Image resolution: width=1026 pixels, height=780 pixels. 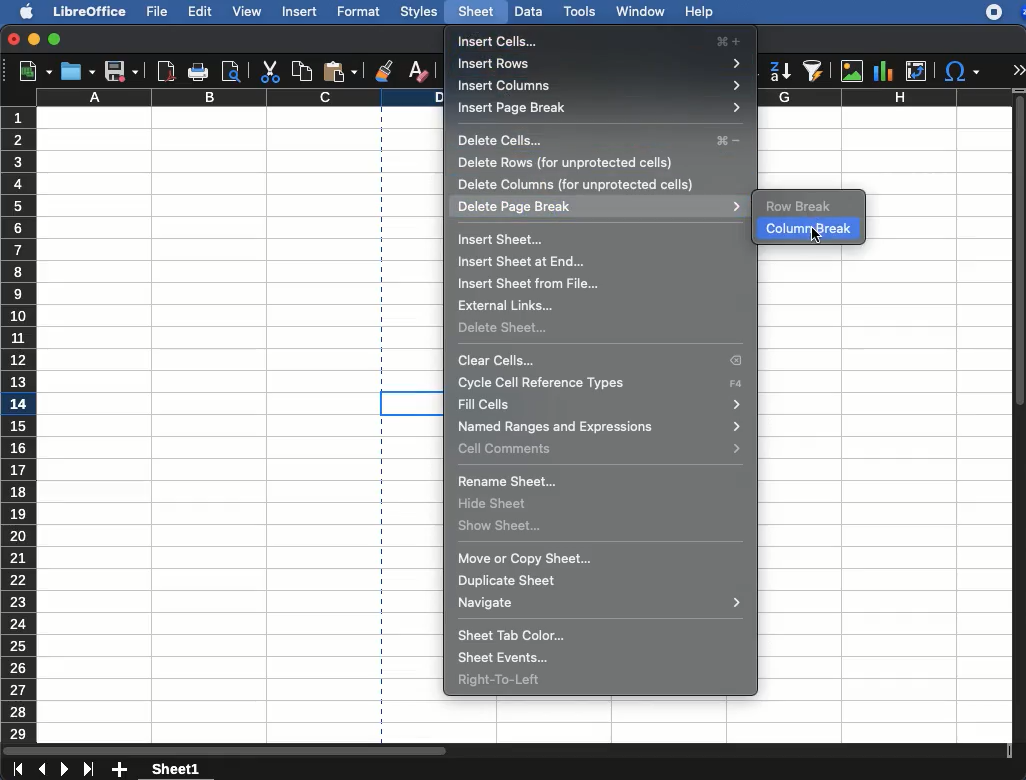 I want to click on image, so click(x=852, y=72).